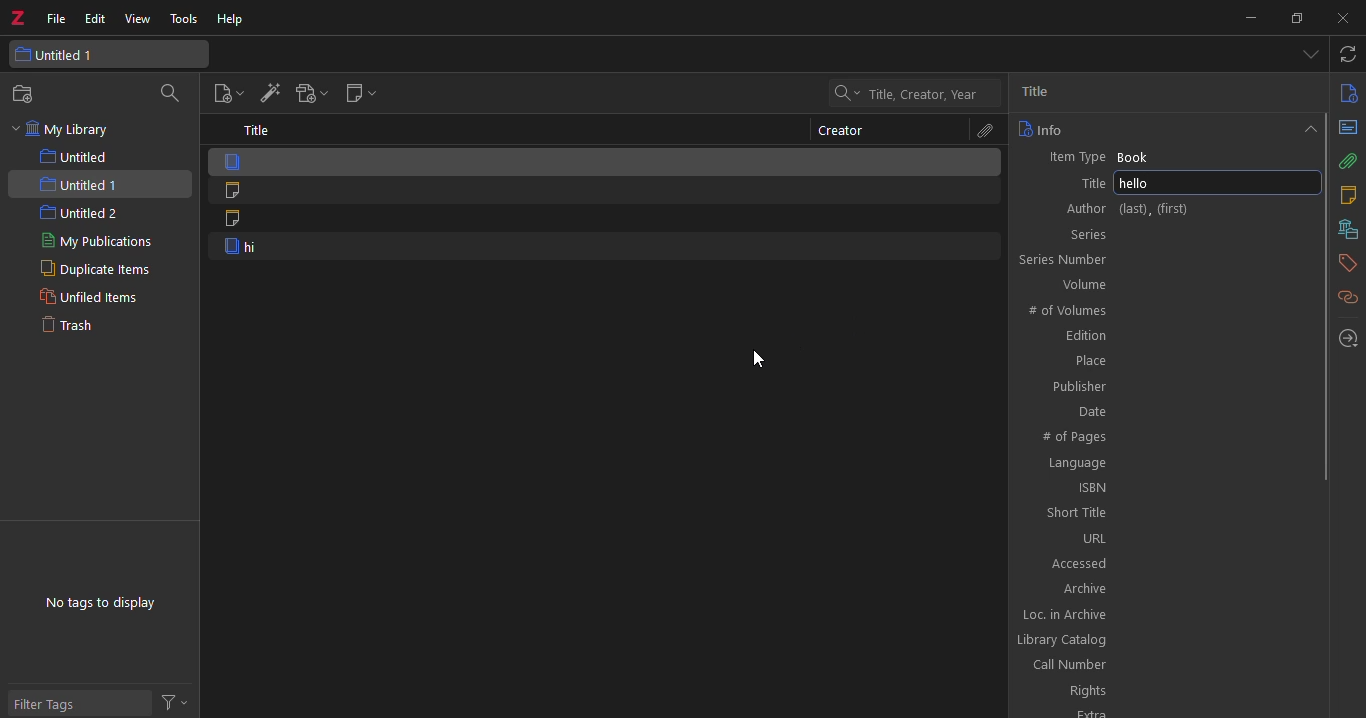 Image resolution: width=1366 pixels, height=718 pixels. What do you see at coordinates (1169, 387) in the screenshot?
I see `publisher` at bounding box center [1169, 387].